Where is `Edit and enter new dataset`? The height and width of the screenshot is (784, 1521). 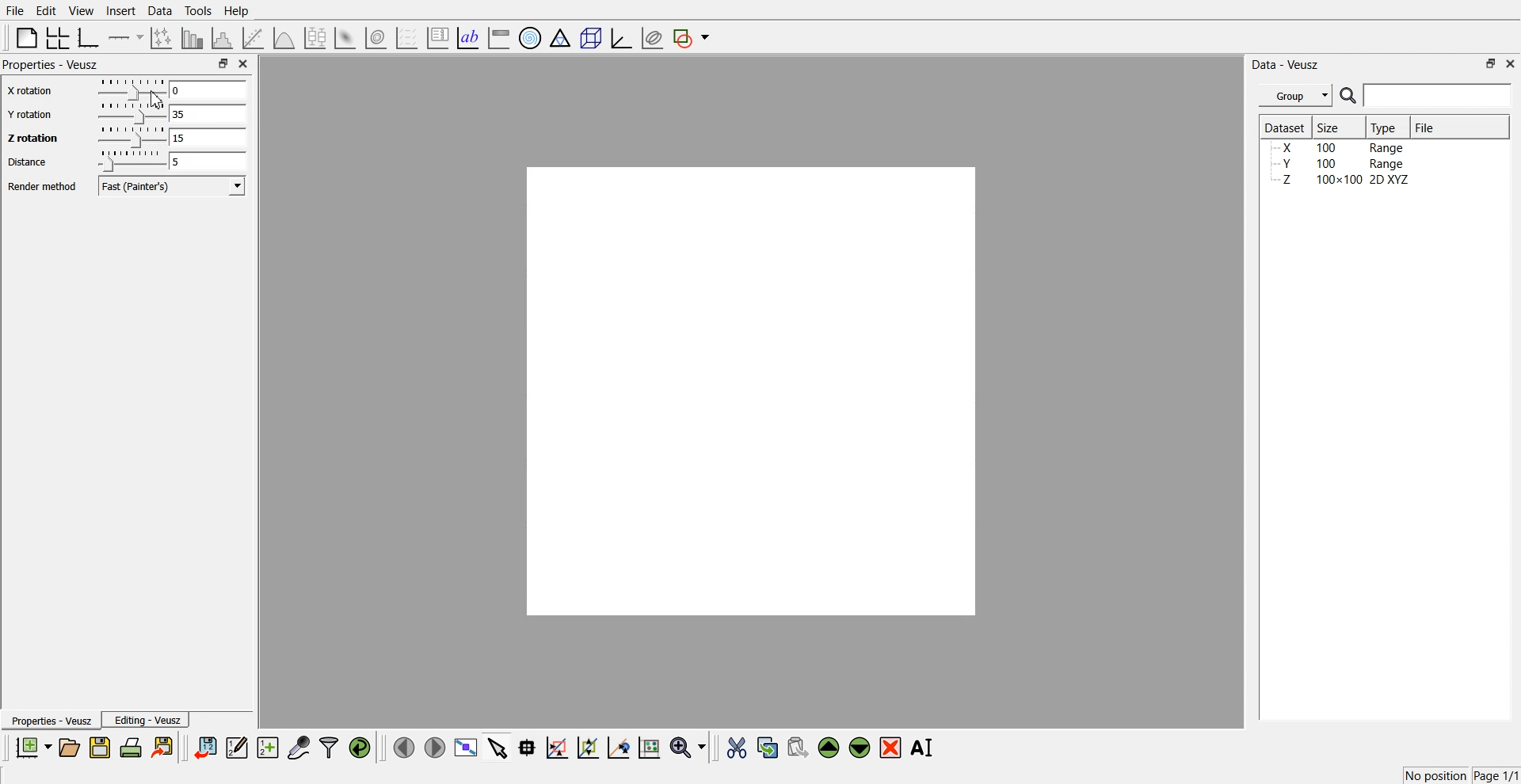 Edit and enter new dataset is located at coordinates (236, 747).